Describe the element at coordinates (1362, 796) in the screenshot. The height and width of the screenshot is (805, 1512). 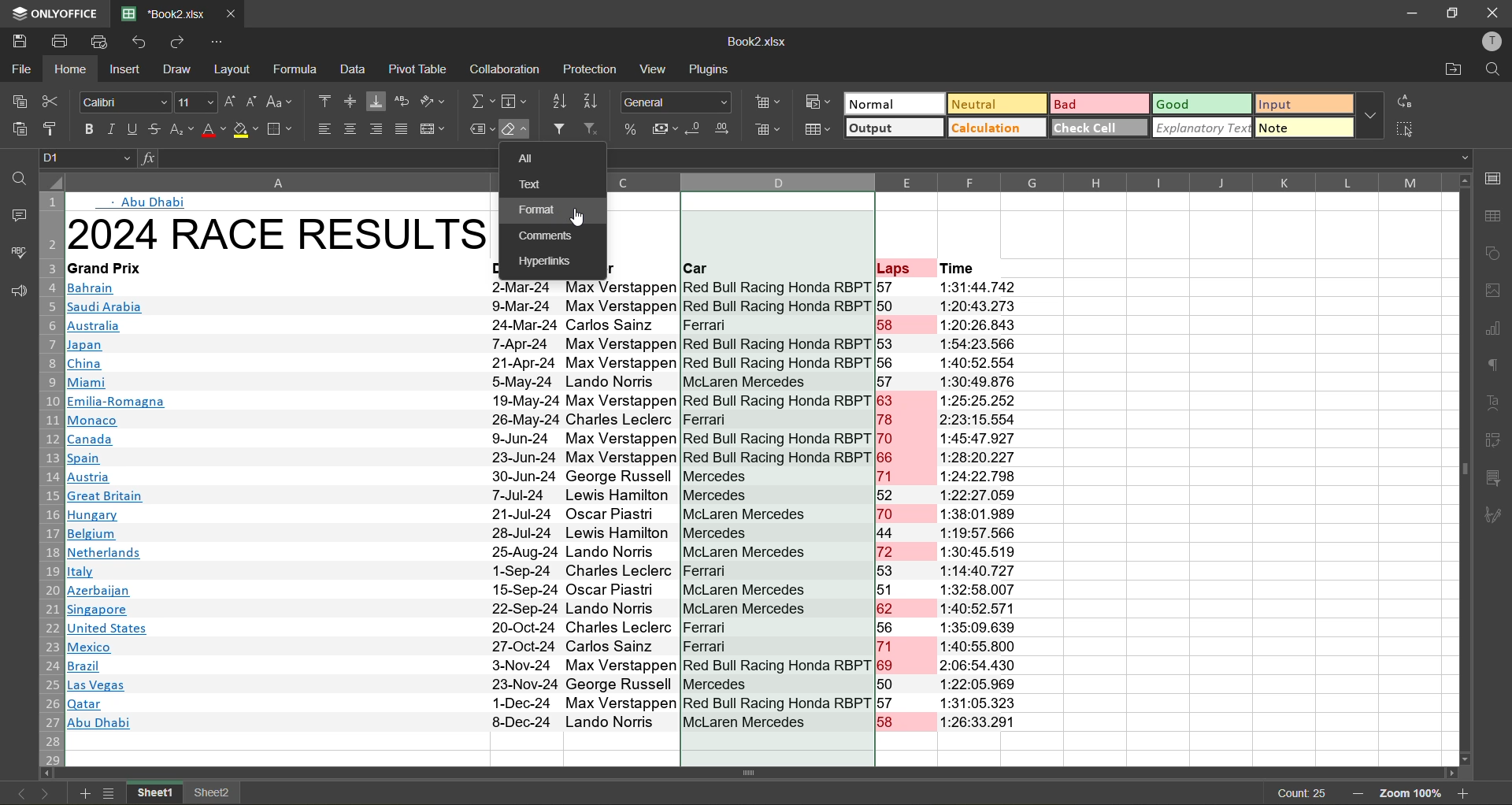
I see `zoom out` at that location.